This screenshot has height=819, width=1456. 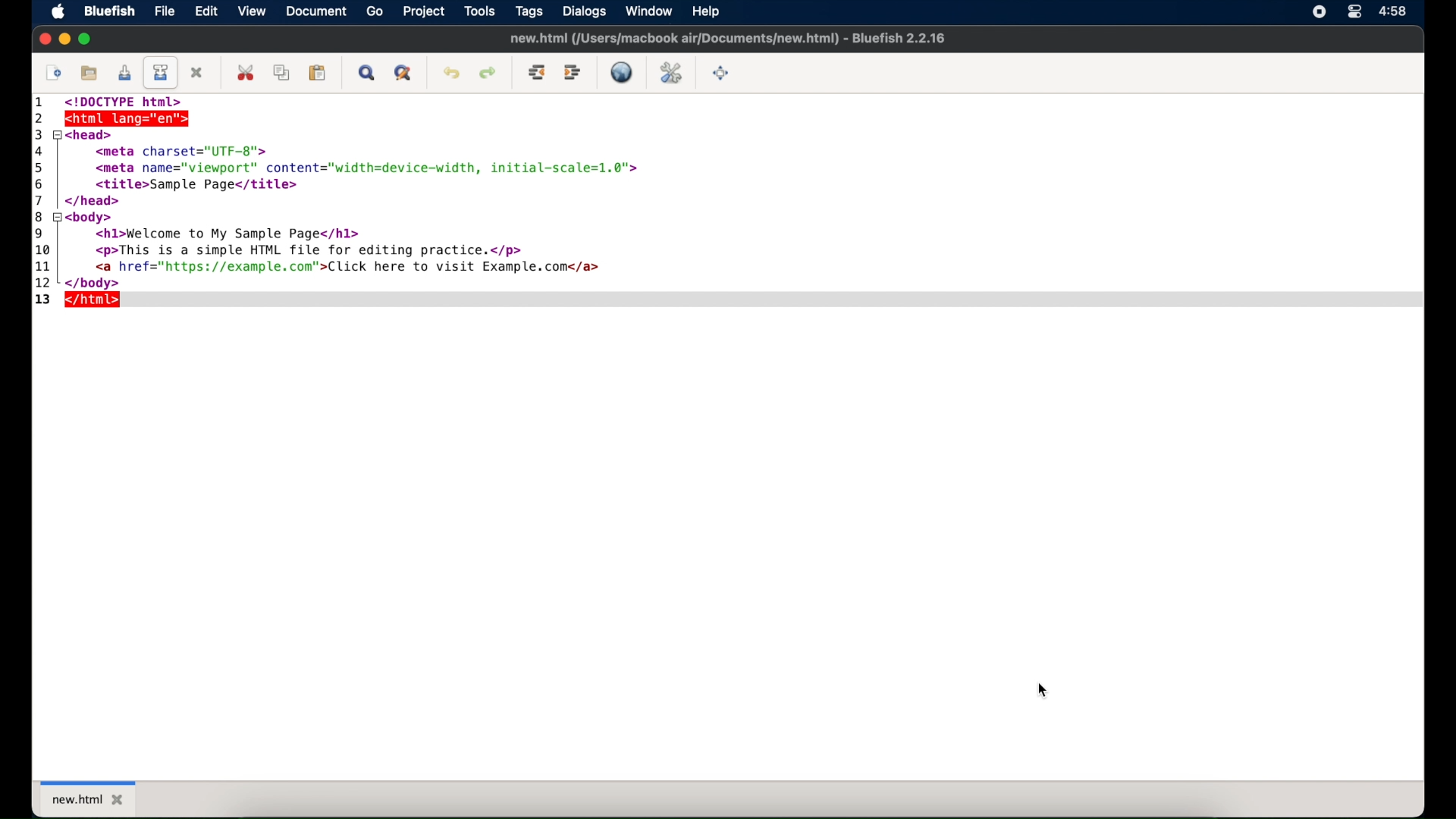 I want to click on 8, so click(x=41, y=216).